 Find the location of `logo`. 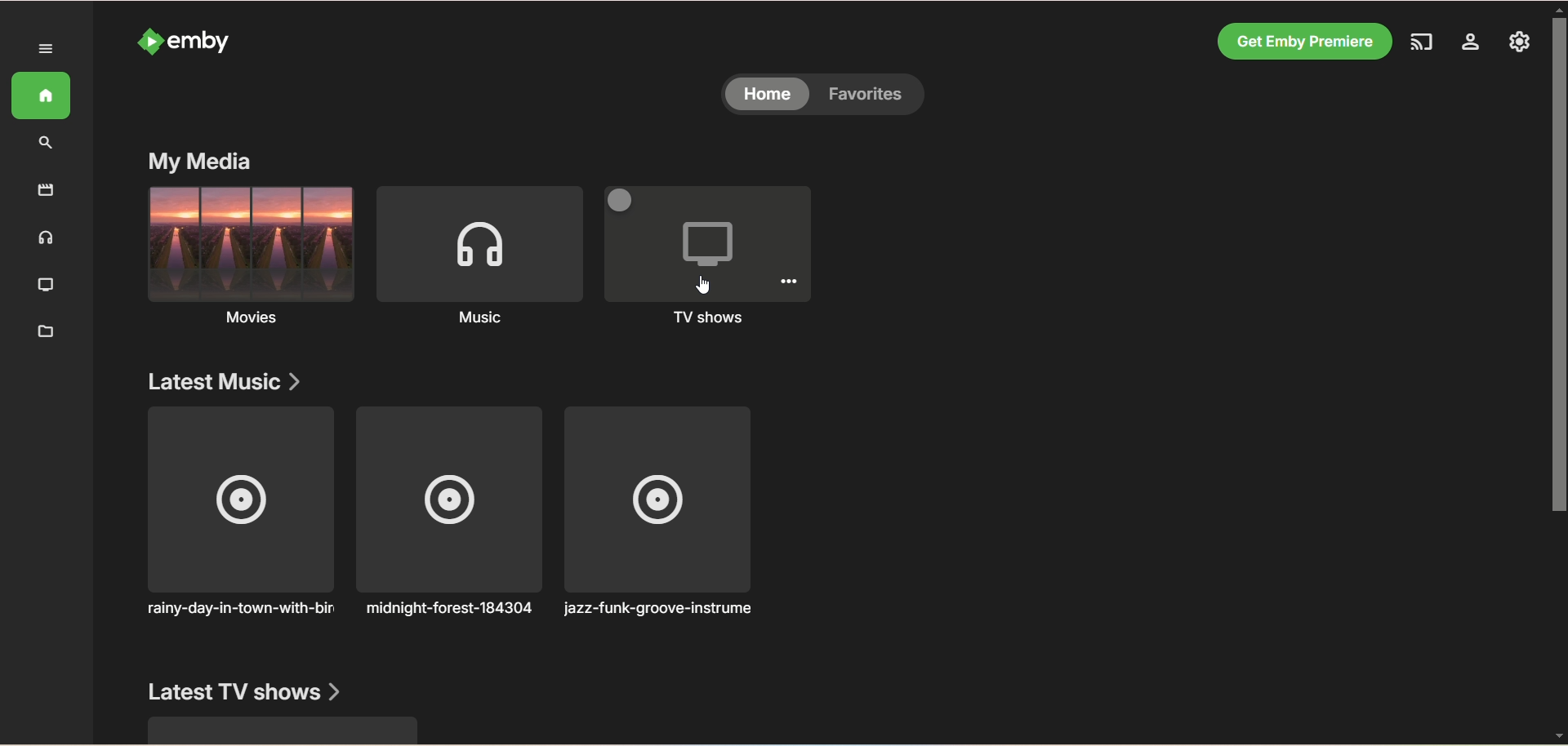

logo is located at coordinates (145, 42).